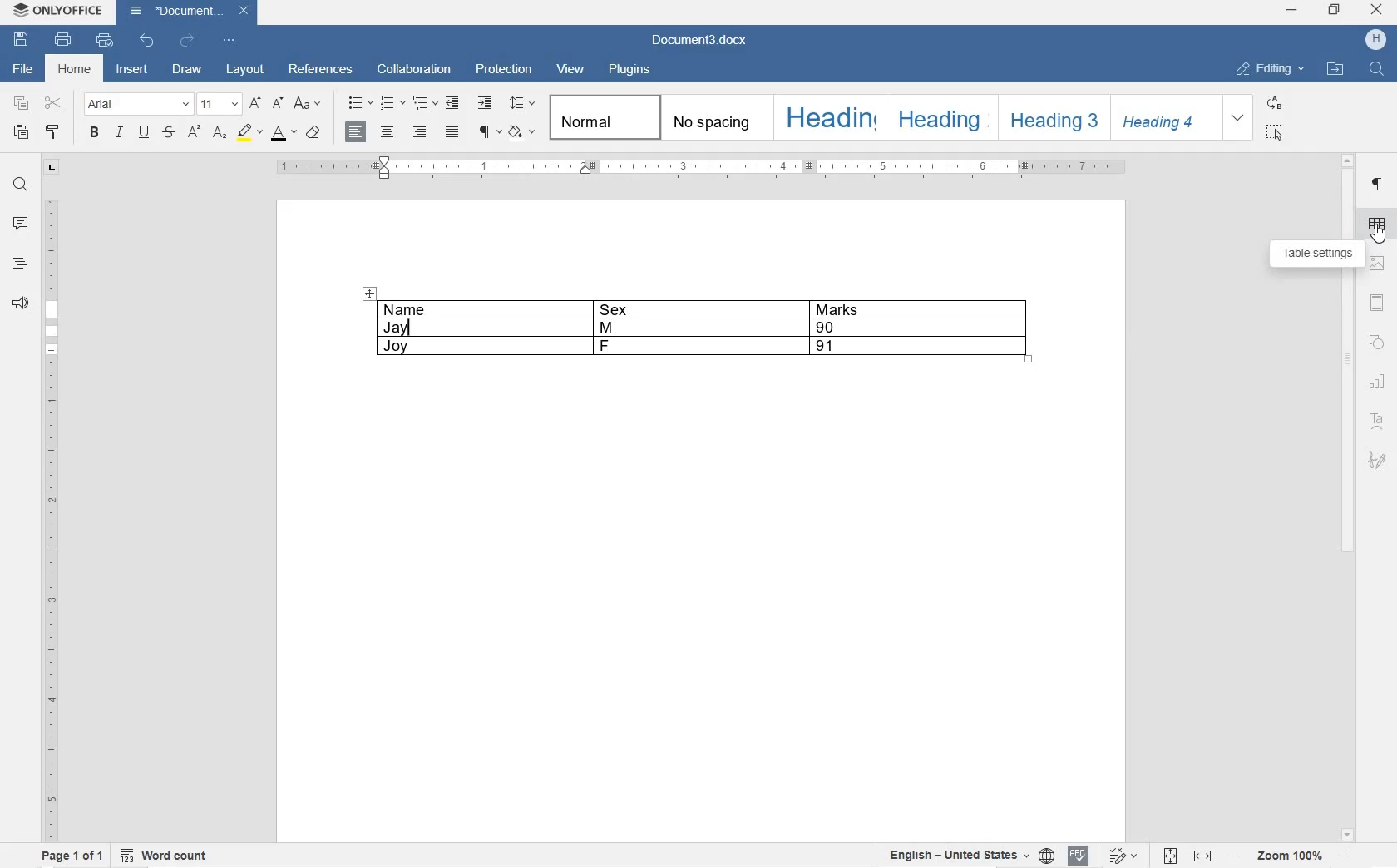  I want to click on UNDERLINE, so click(144, 133).